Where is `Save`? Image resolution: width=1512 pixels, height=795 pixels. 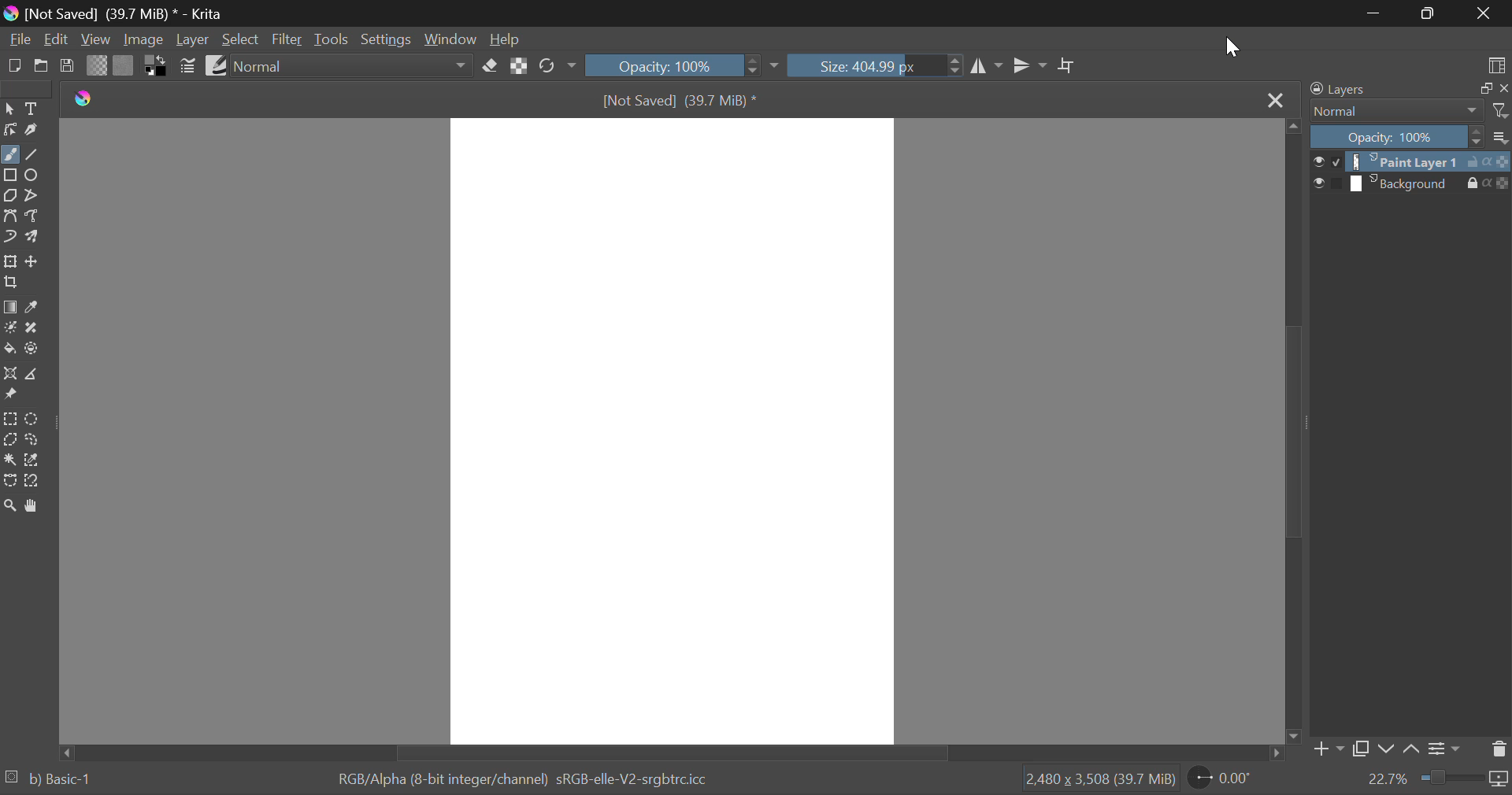
Save is located at coordinates (68, 66).